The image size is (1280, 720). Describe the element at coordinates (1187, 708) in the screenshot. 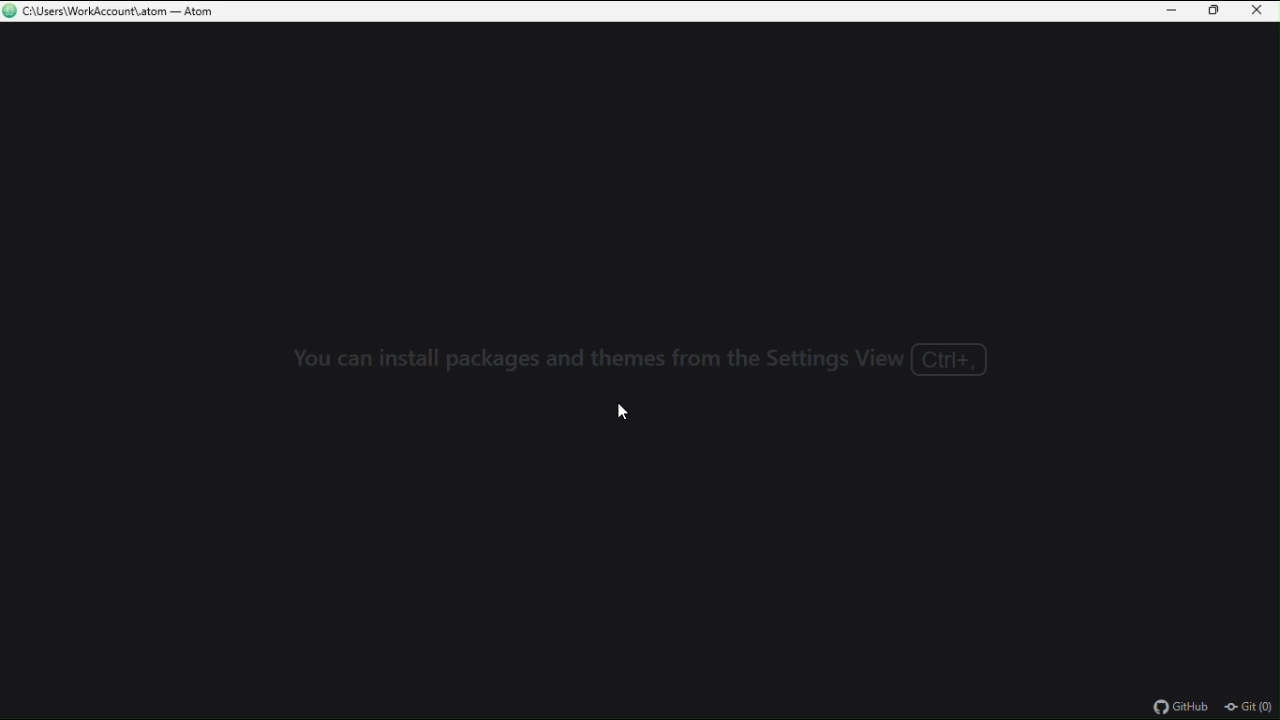

I see `github` at that location.